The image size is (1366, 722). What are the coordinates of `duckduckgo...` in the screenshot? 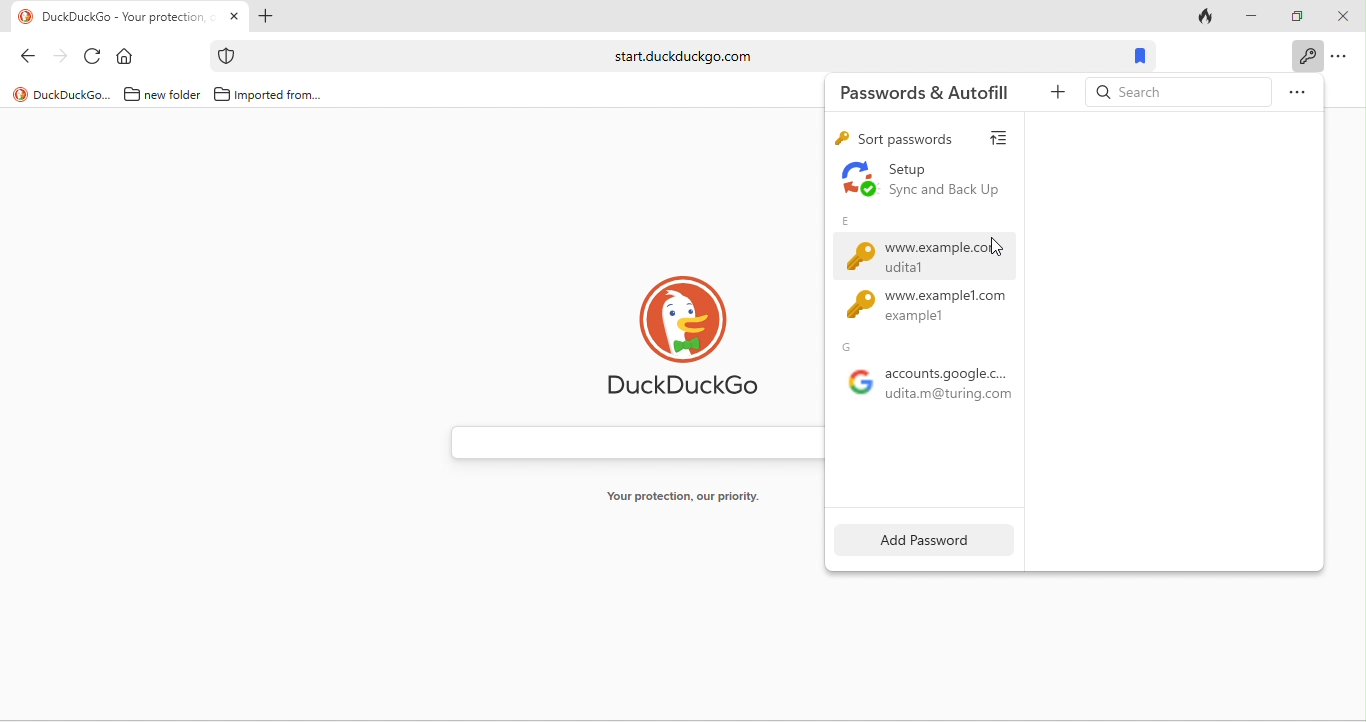 It's located at (62, 94).